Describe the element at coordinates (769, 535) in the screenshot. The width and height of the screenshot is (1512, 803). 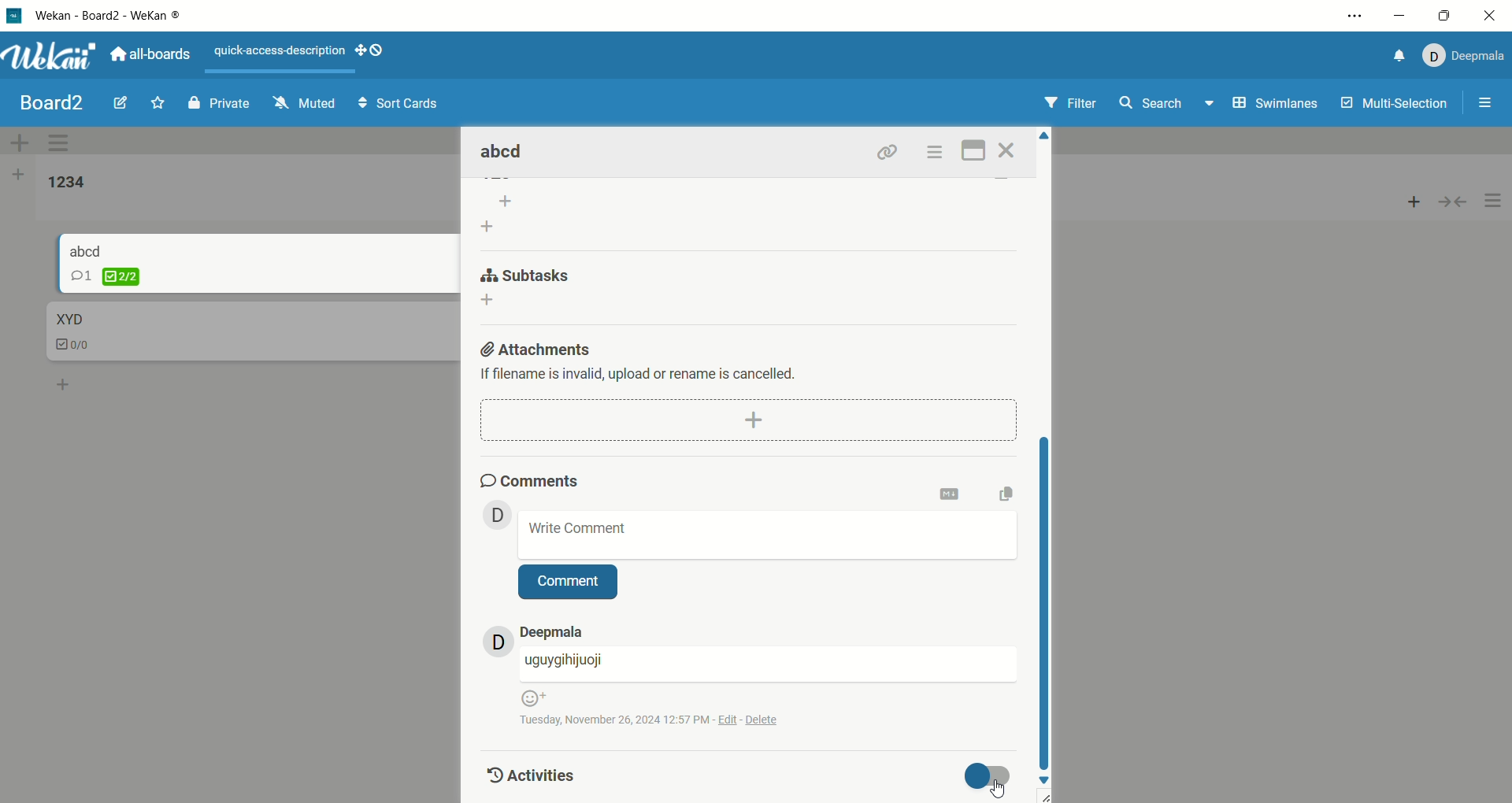
I see `write comment` at that location.